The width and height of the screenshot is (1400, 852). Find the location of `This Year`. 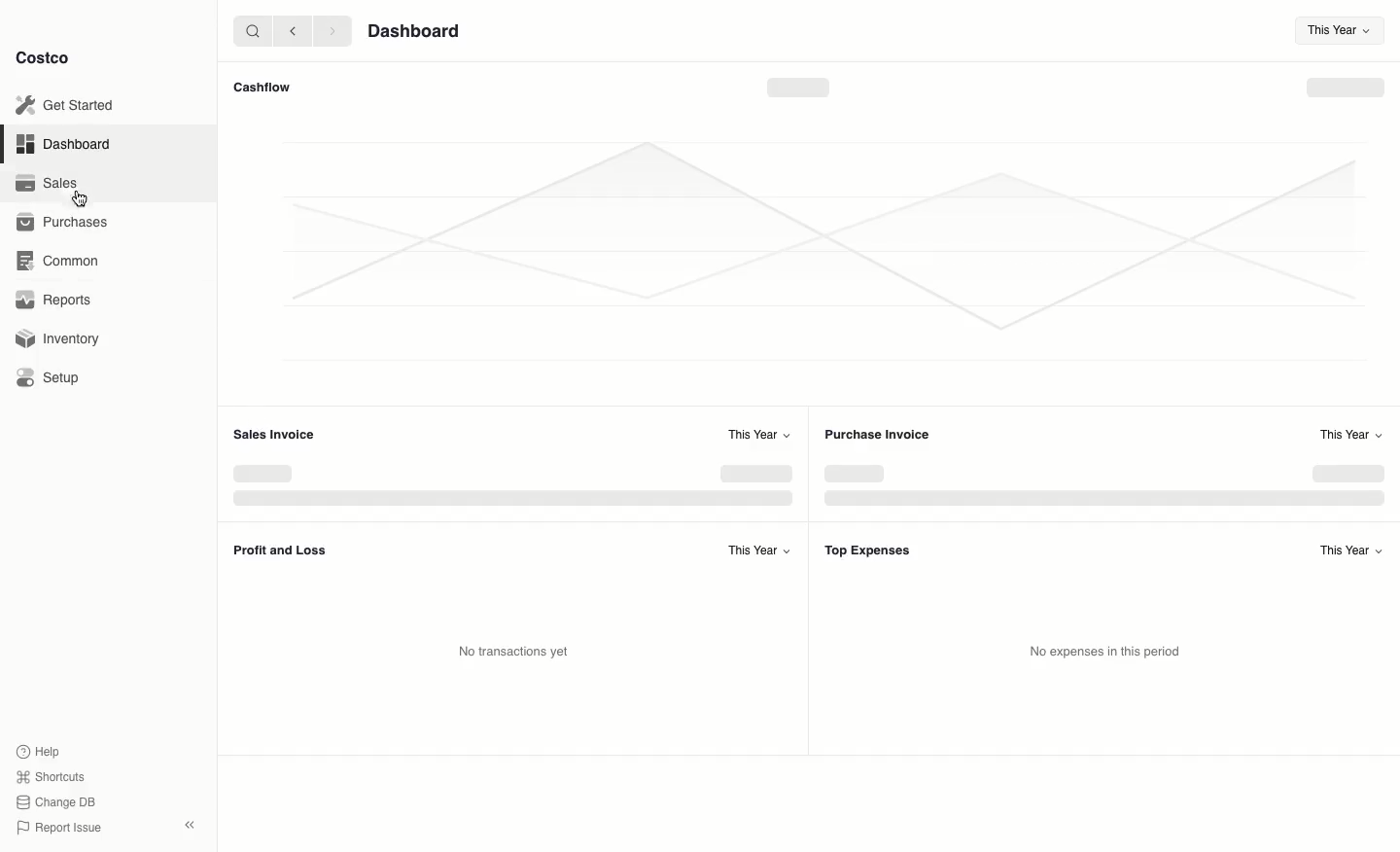

This Year is located at coordinates (759, 434).